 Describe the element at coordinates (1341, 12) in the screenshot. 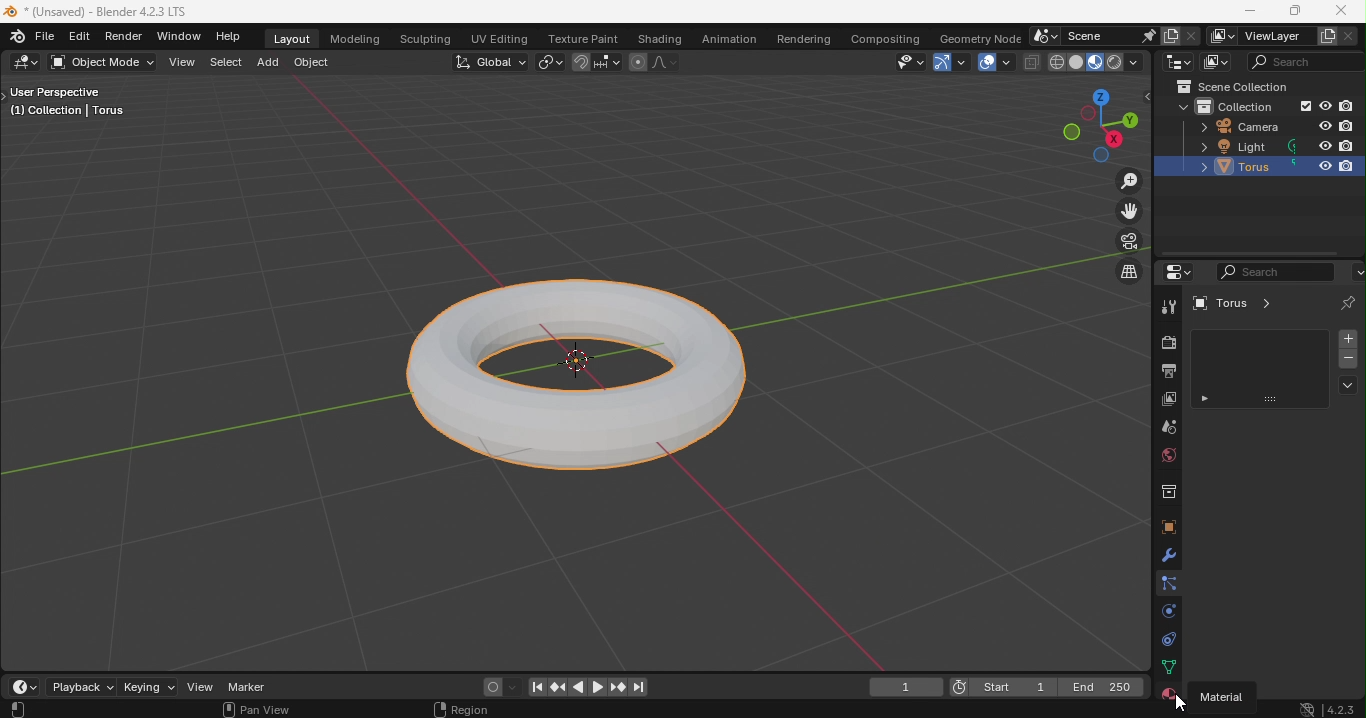

I see `Close` at that location.